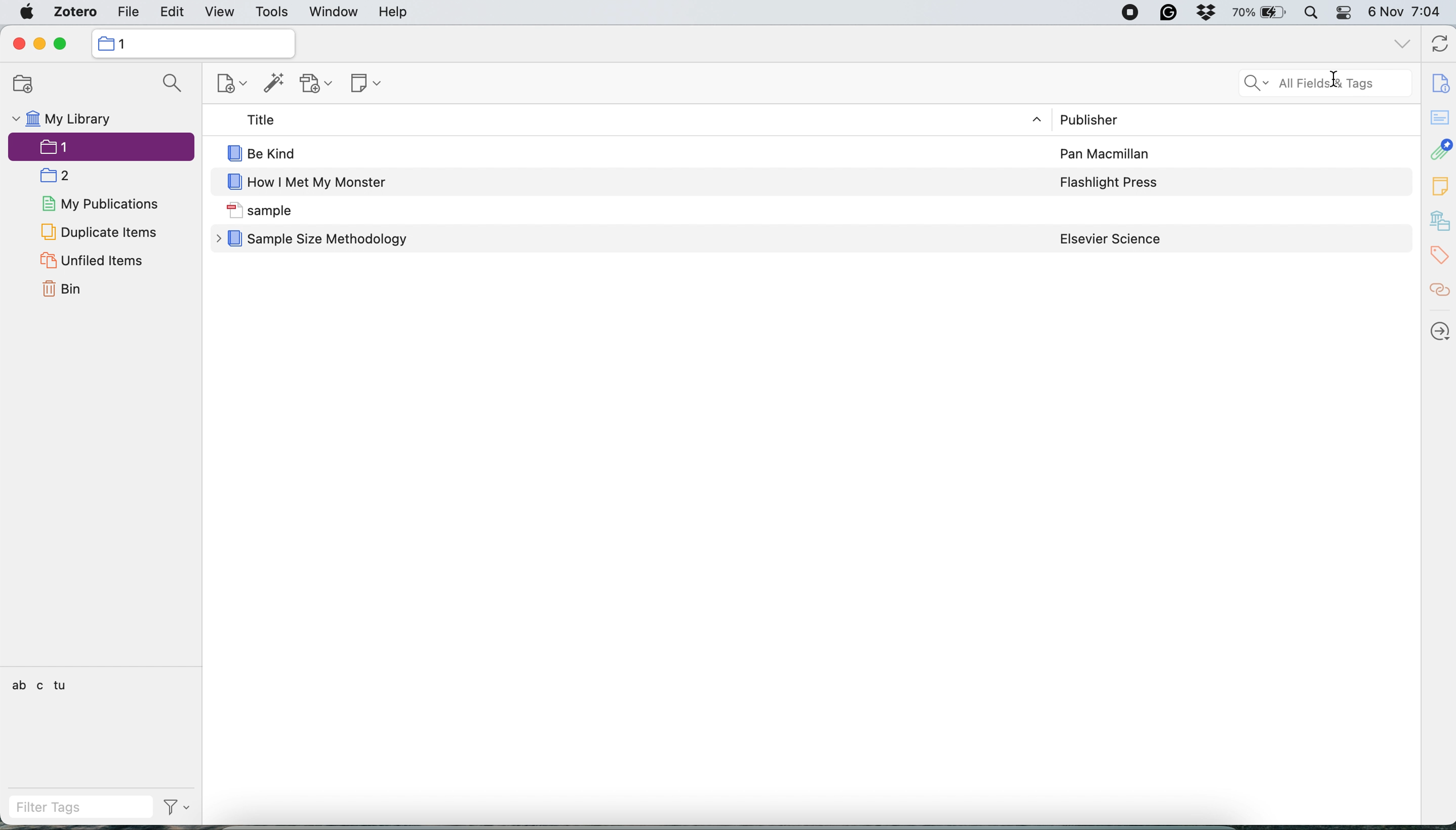 The image size is (1456, 830). I want to click on new item, so click(233, 85).